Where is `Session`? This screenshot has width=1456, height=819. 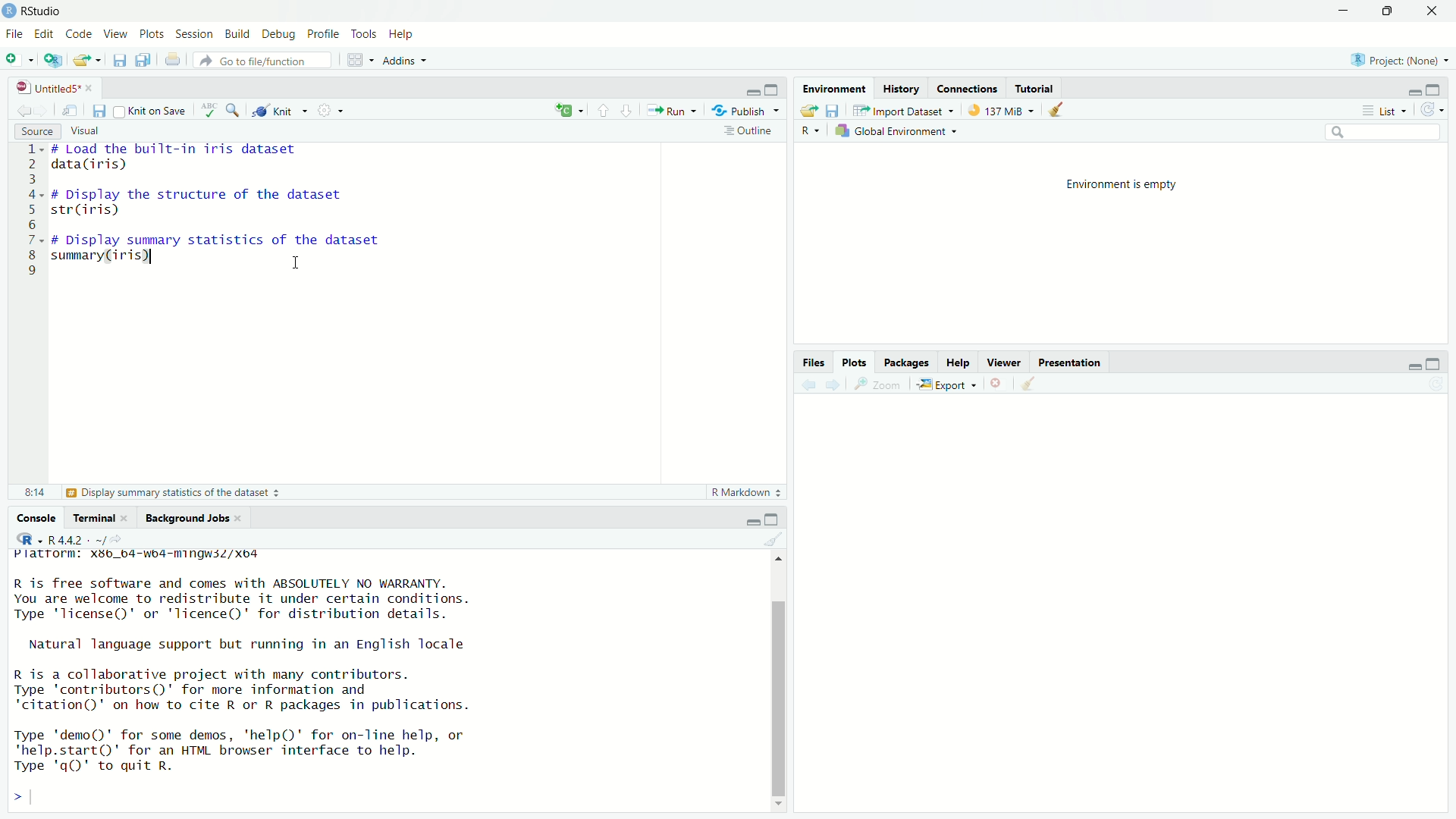 Session is located at coordinates (195, 33).